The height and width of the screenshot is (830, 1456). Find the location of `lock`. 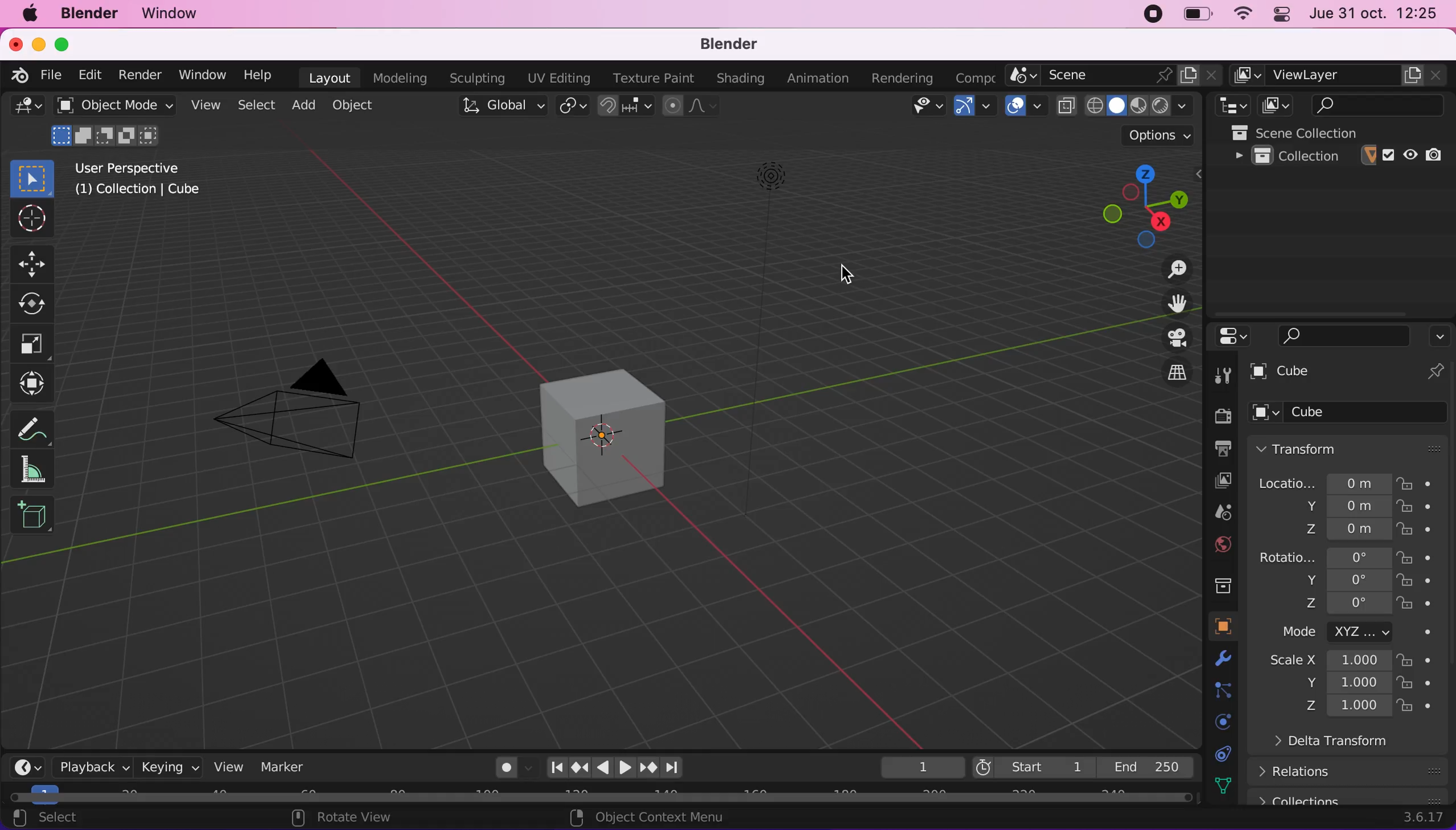

lock is located at coordinates (1425, 685).